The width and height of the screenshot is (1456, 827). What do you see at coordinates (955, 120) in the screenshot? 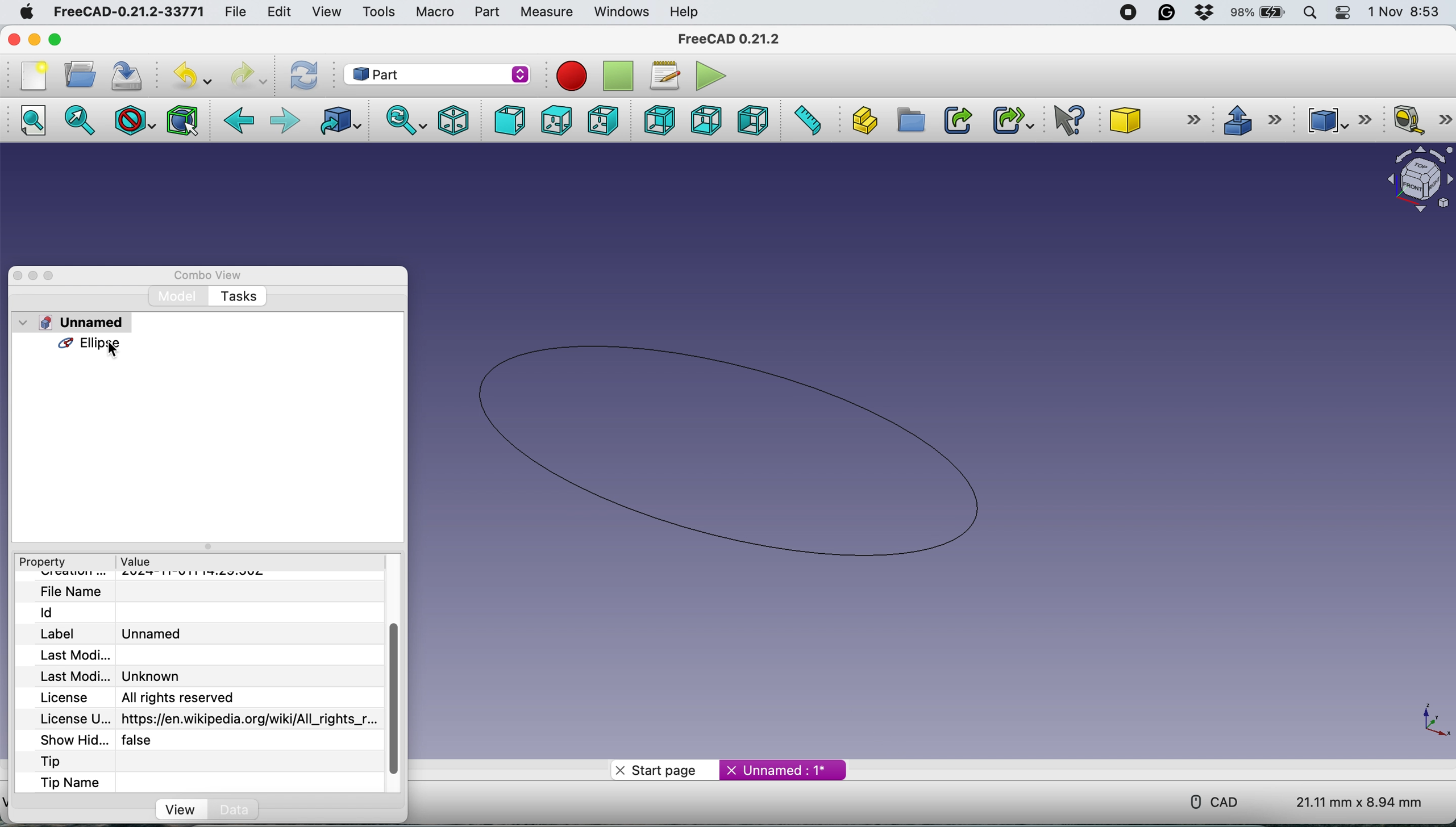
I see `make link` at bounding box center [955, 120].